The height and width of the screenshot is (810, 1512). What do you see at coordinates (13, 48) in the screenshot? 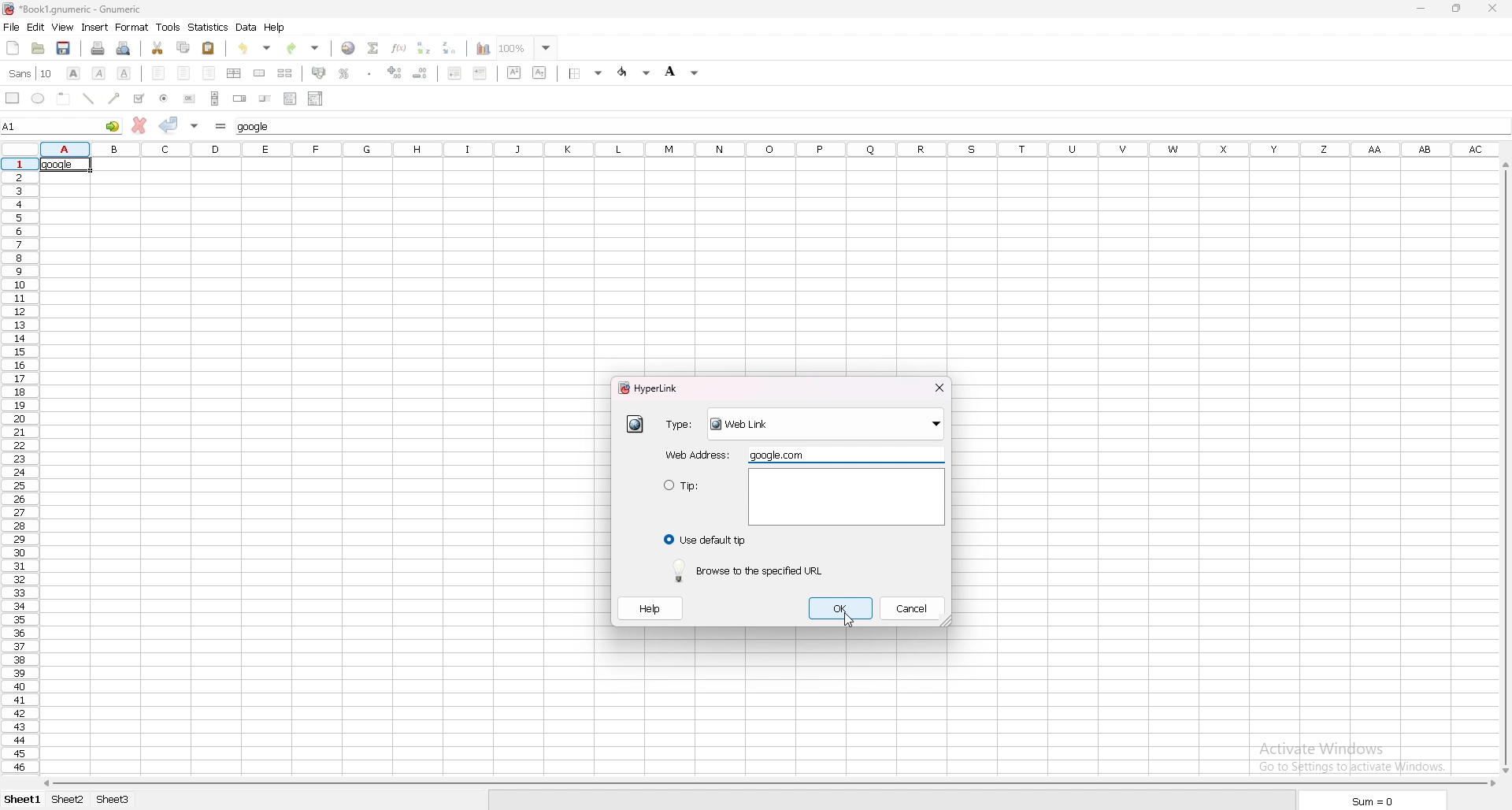
I see `new` at bounding box center [13, 48].